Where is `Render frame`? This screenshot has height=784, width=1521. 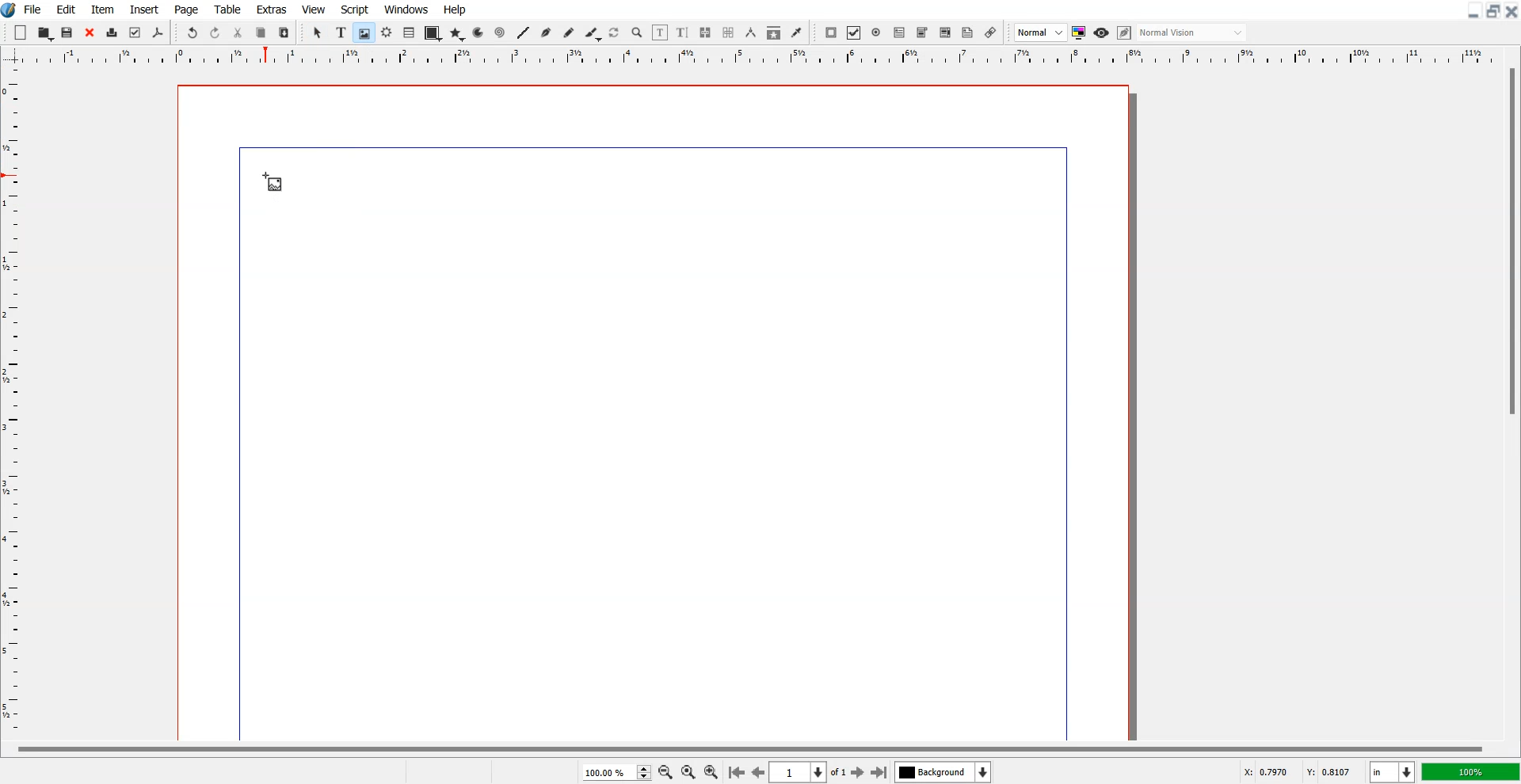 Render frame is located at coordinates (387, 32).